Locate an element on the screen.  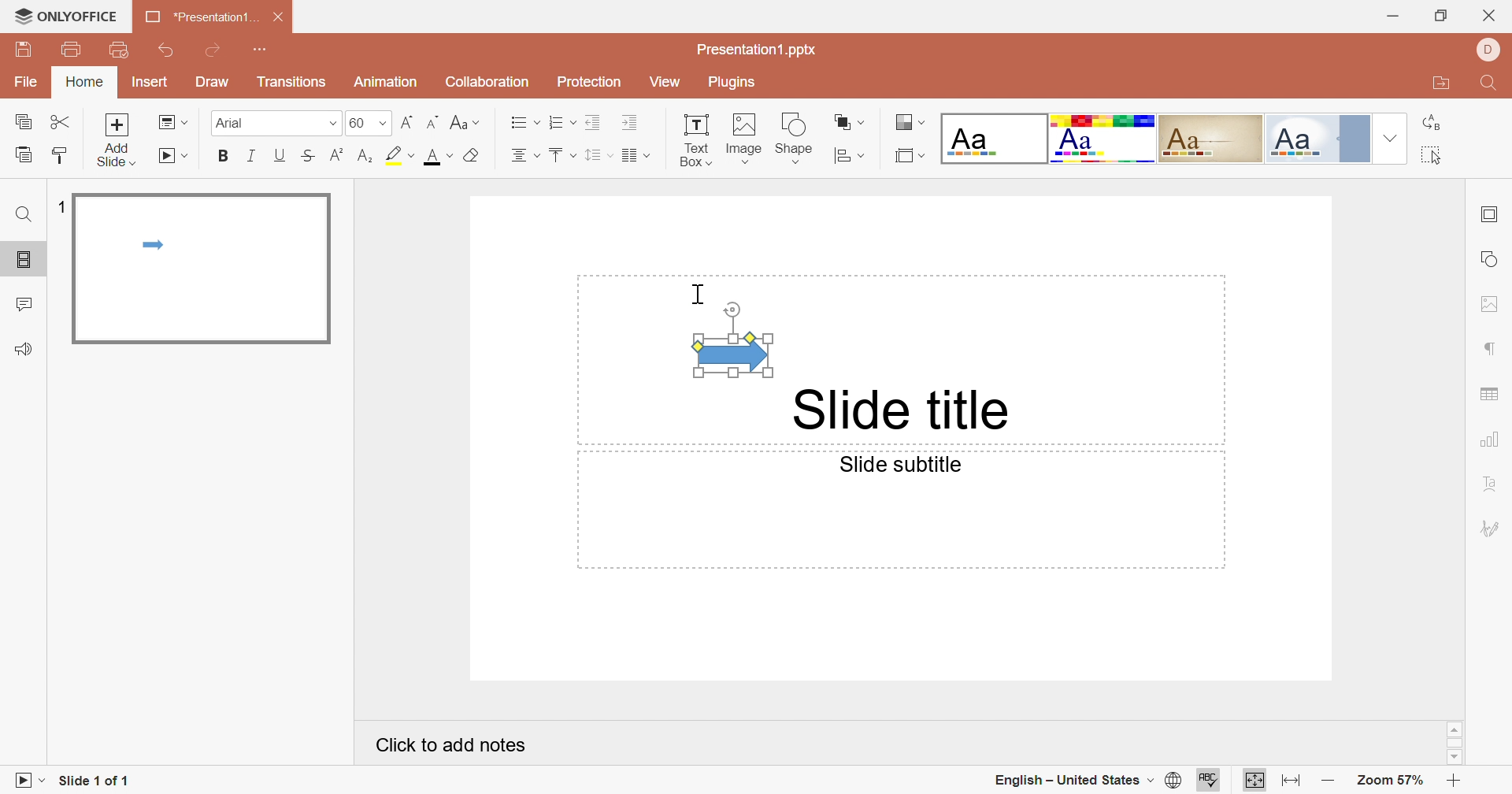
Horizontal align is located at coordinates (524, 156).